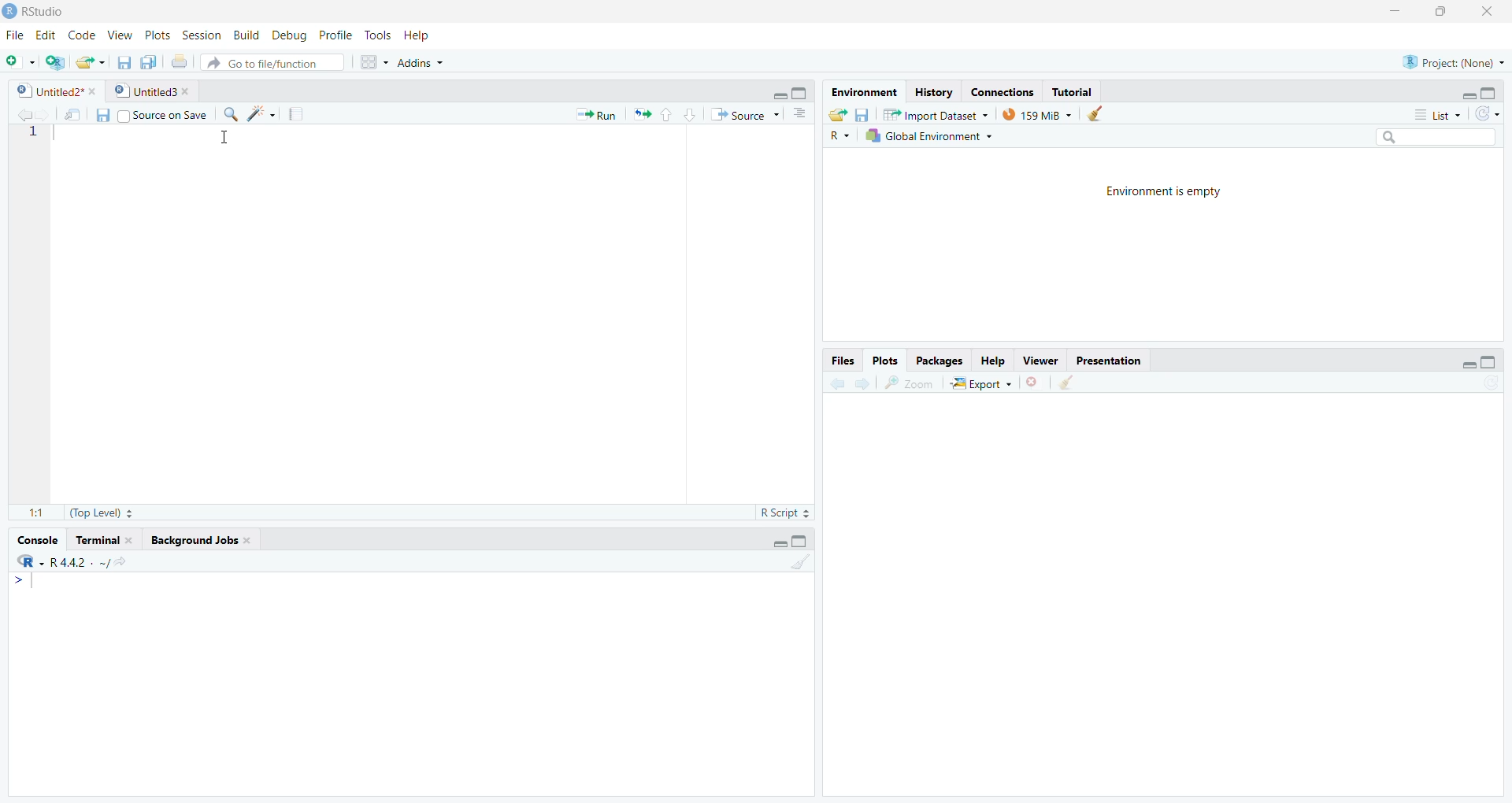 This screenshot has height=803, width=1512. I want to click on Row number, so click(28, 136).